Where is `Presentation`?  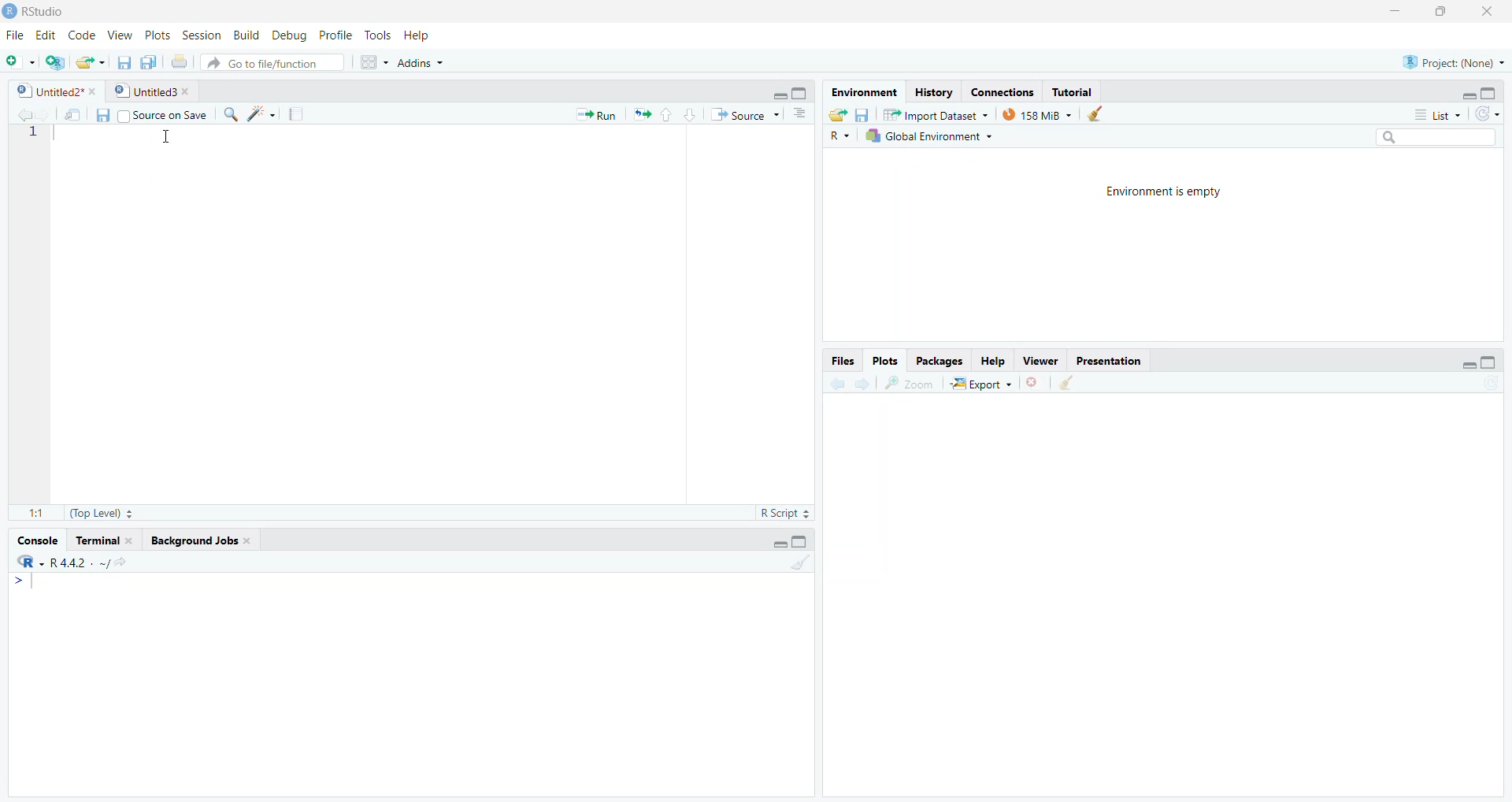 Presentation is located at coordinates (1110, 361).